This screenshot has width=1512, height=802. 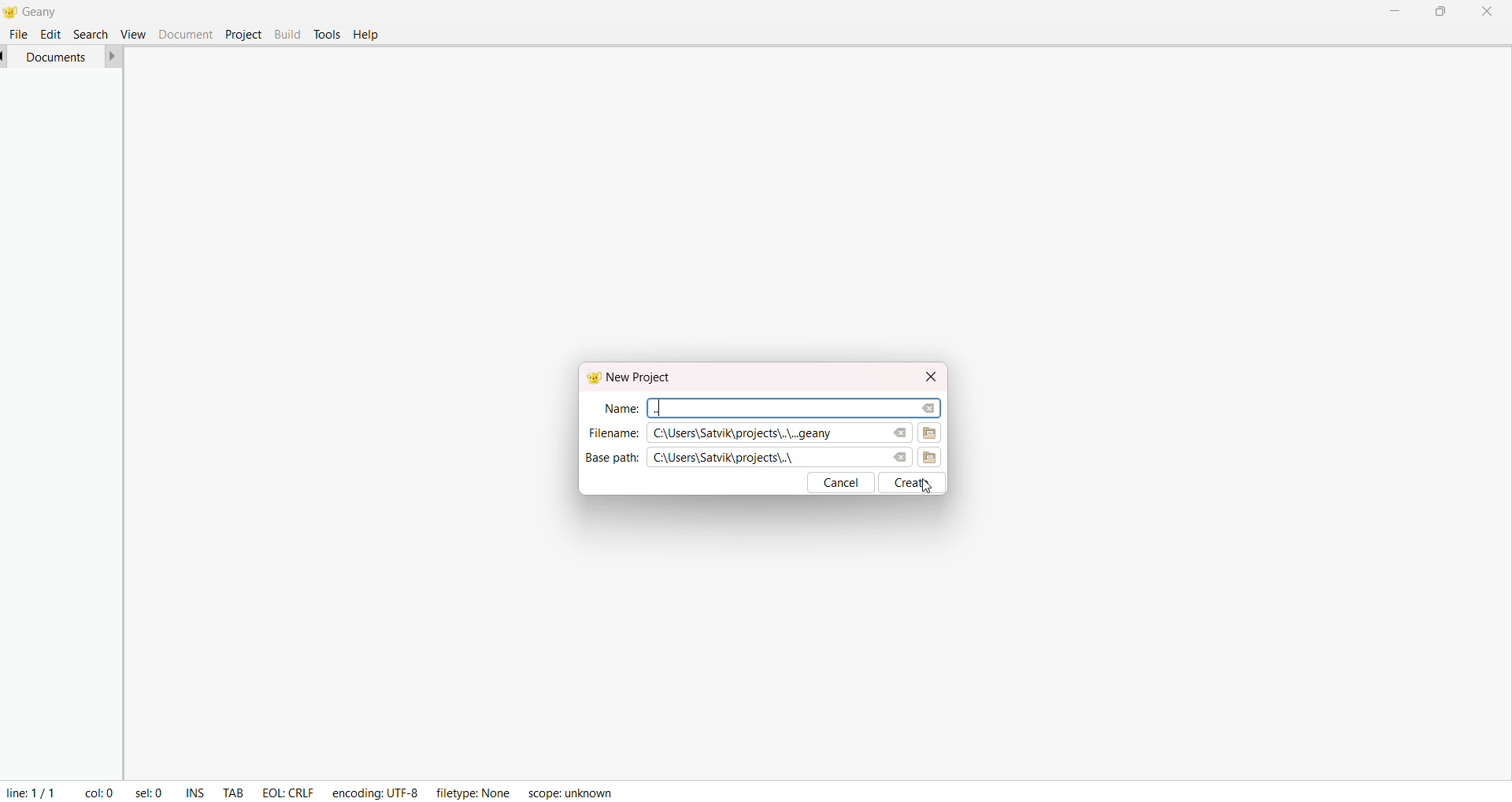 I want to click on document, so click(x=185, y=33).